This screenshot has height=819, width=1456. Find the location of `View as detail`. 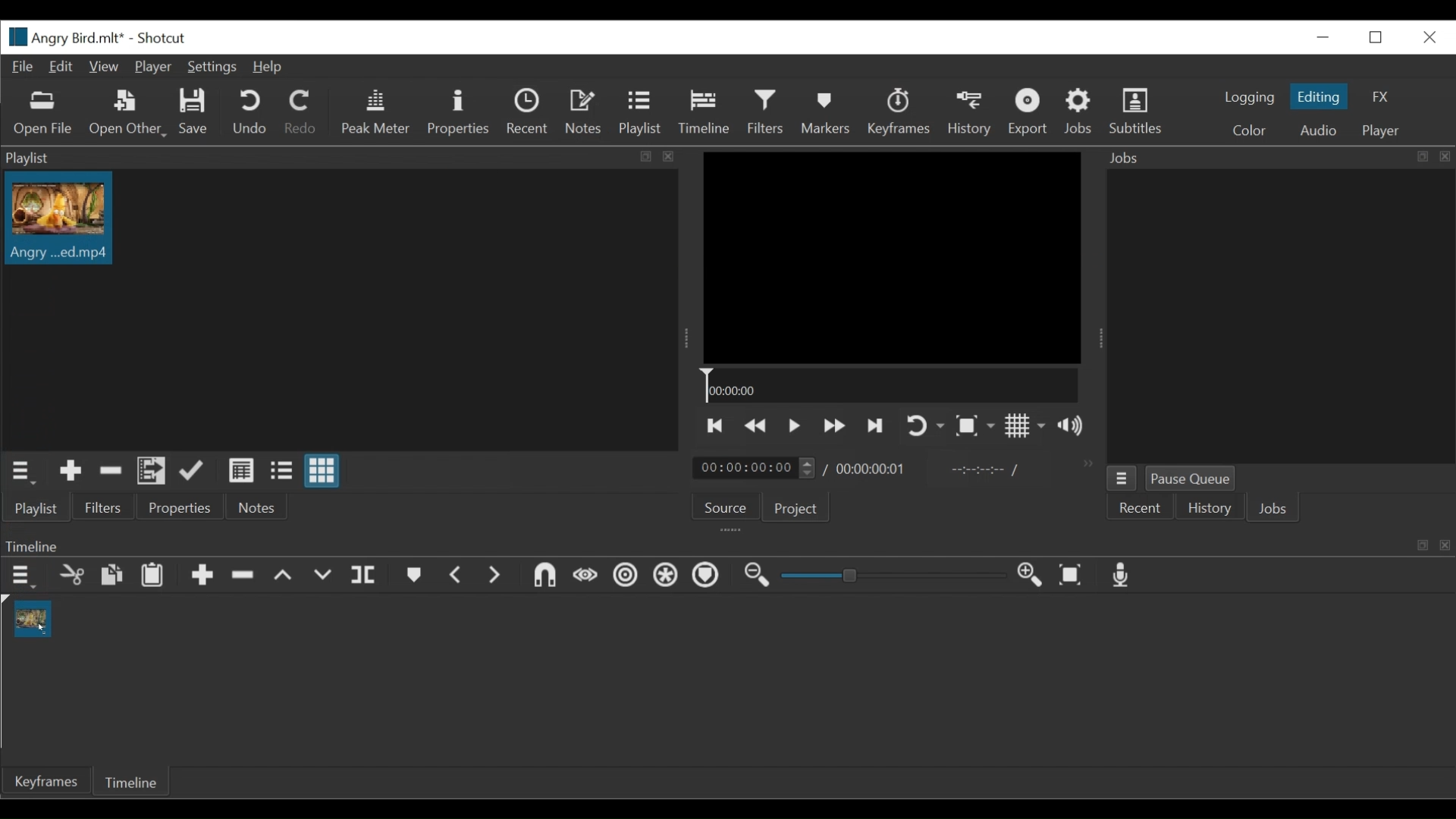

View as detail is located at coordinates (240, 471).